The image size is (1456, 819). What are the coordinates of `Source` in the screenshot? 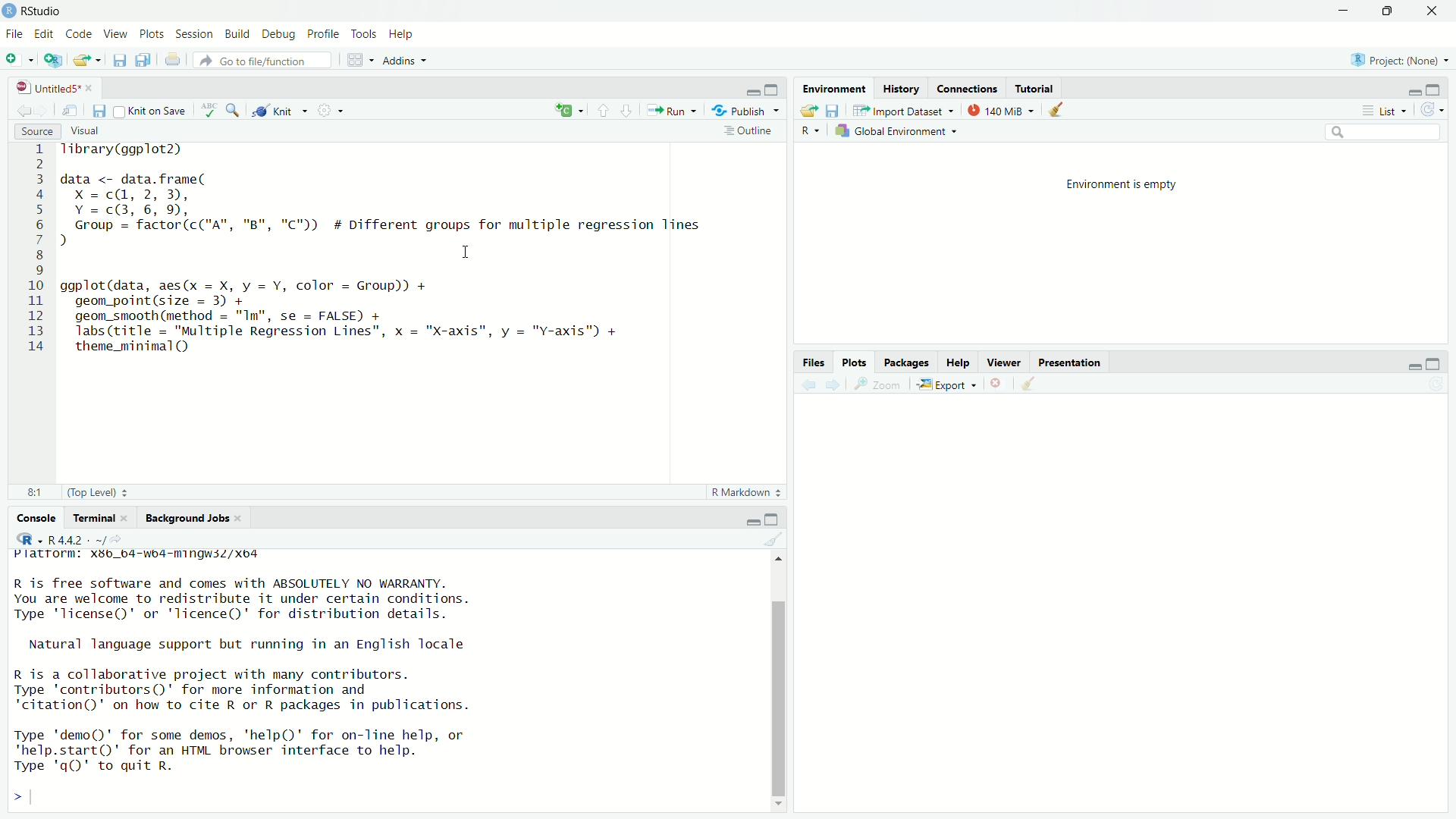 It's located at (36, 132).